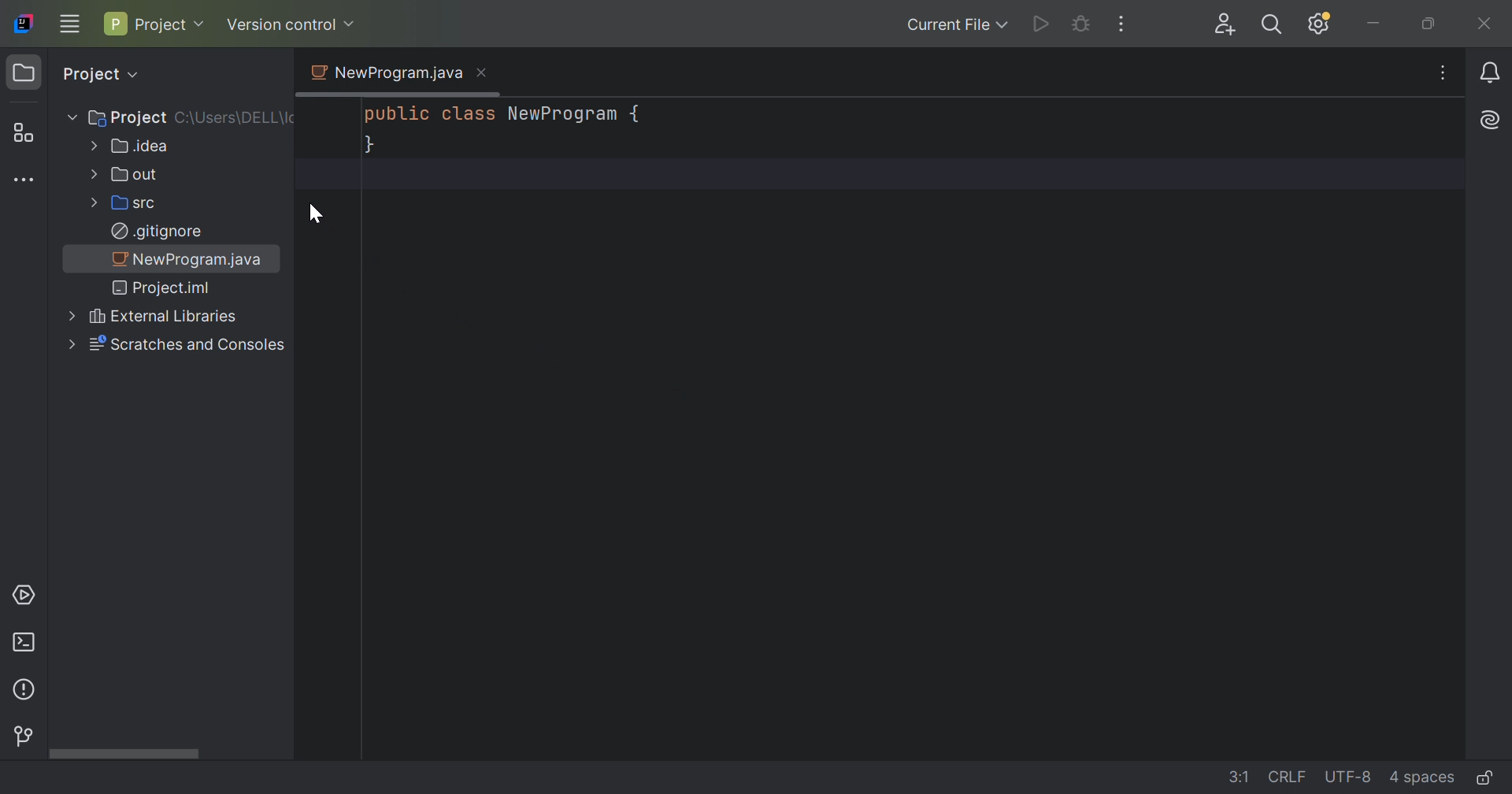  What do you see at coordinates (202, 24) in the screenshot?
I see `Drop Down` at bounding box center [202, 24].